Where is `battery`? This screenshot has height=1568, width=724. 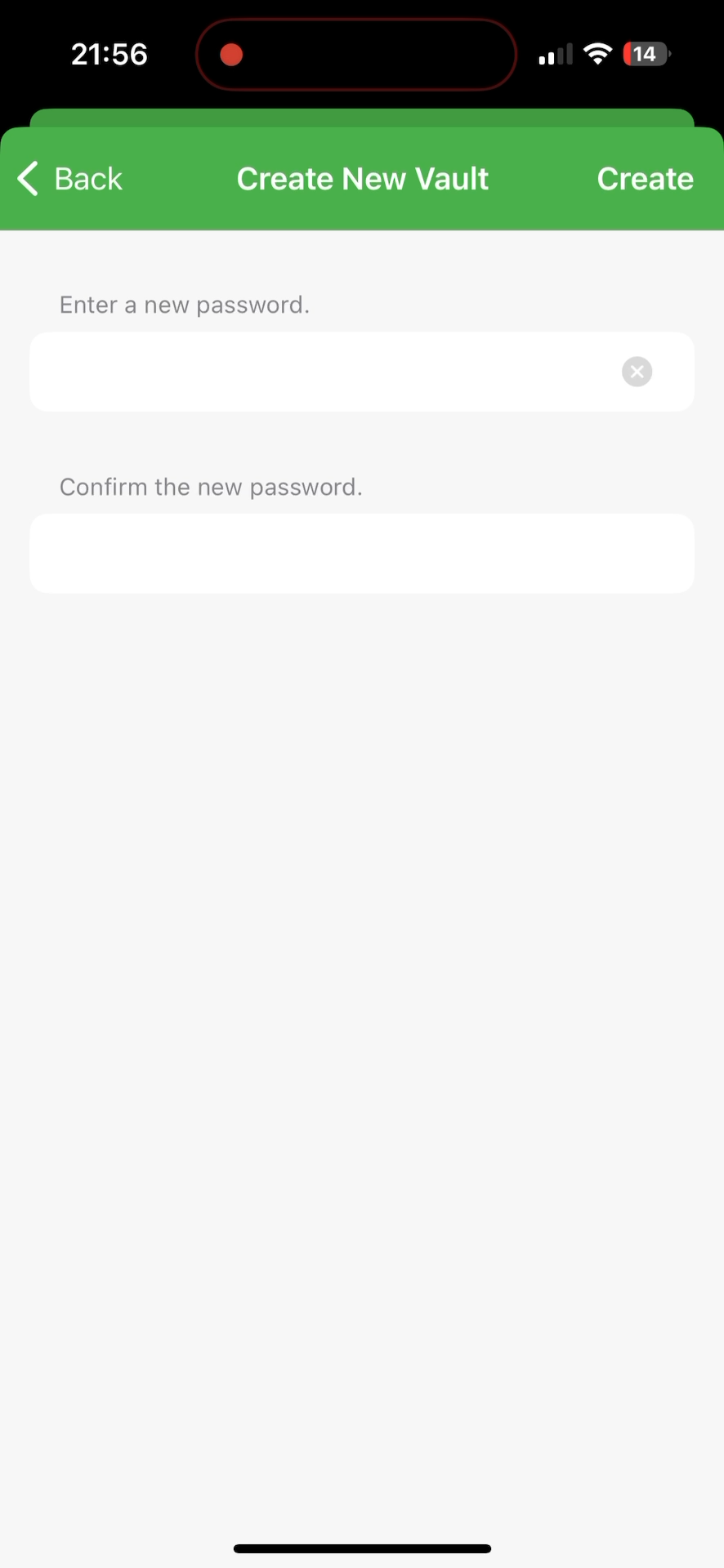
battery is located at coordinates (646, 56).